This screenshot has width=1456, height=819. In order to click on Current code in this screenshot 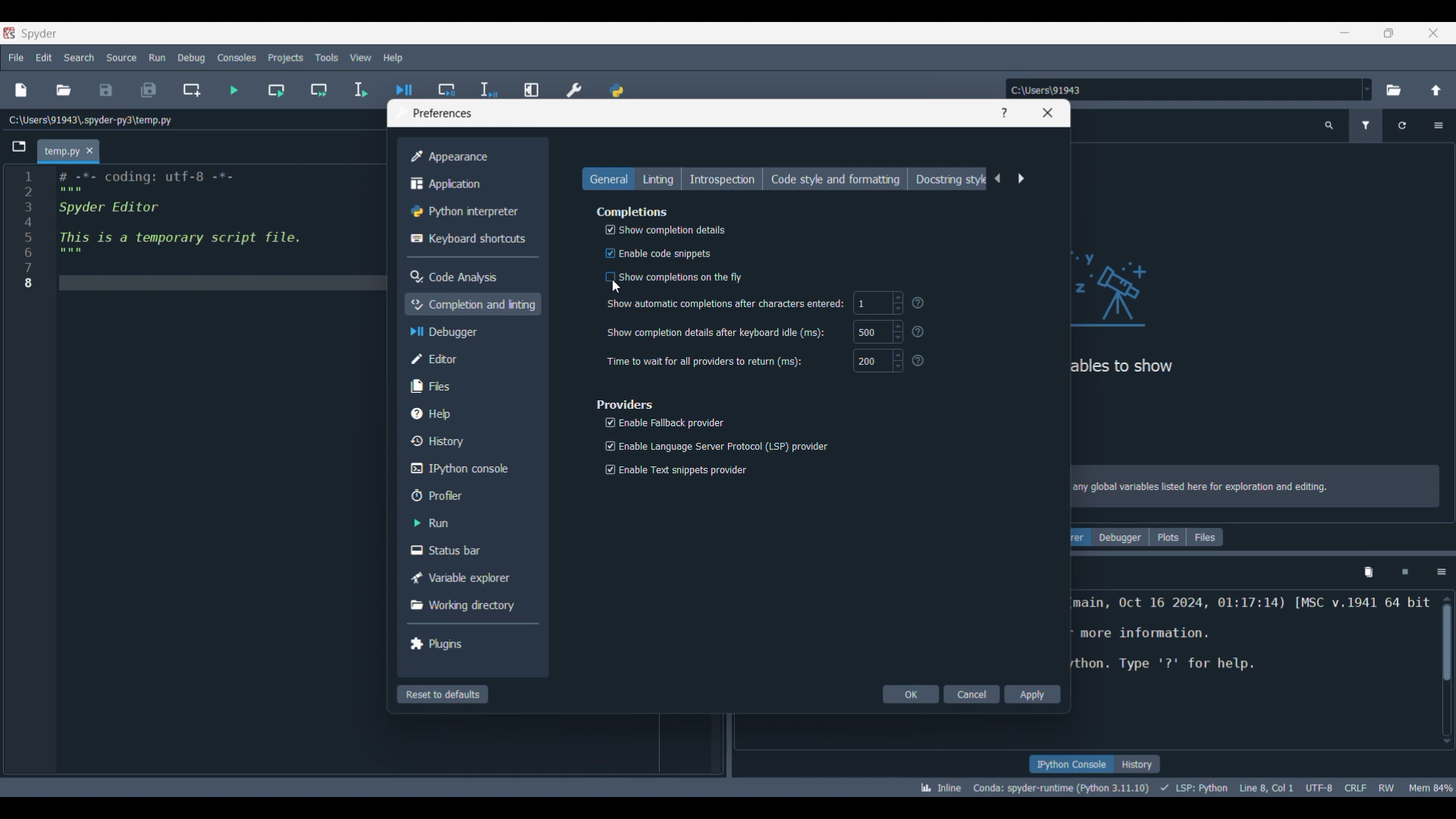, I will do `click(202, 228)`.